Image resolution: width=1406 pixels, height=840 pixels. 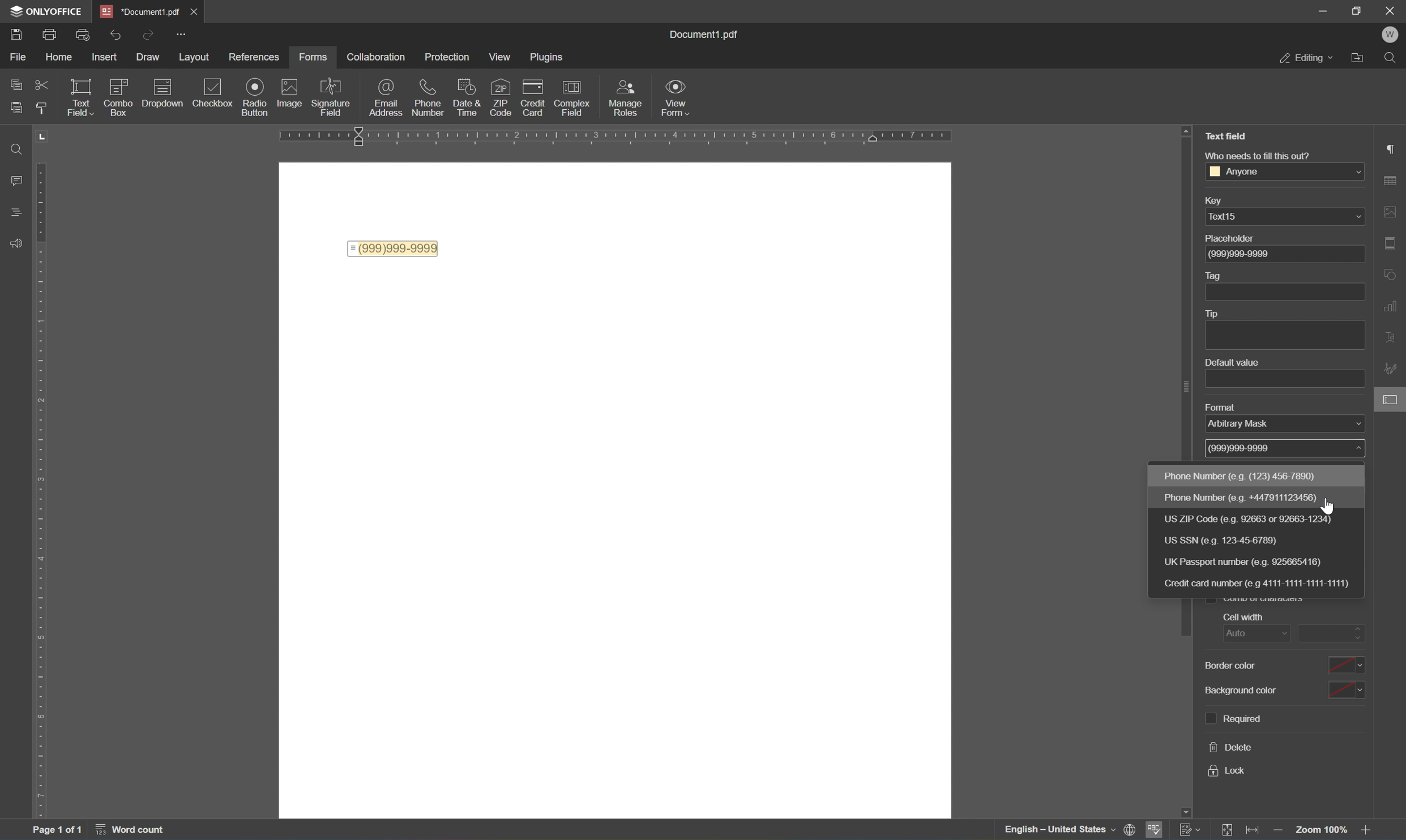 I want to click on text art settings, so click(x=1395, y=336).